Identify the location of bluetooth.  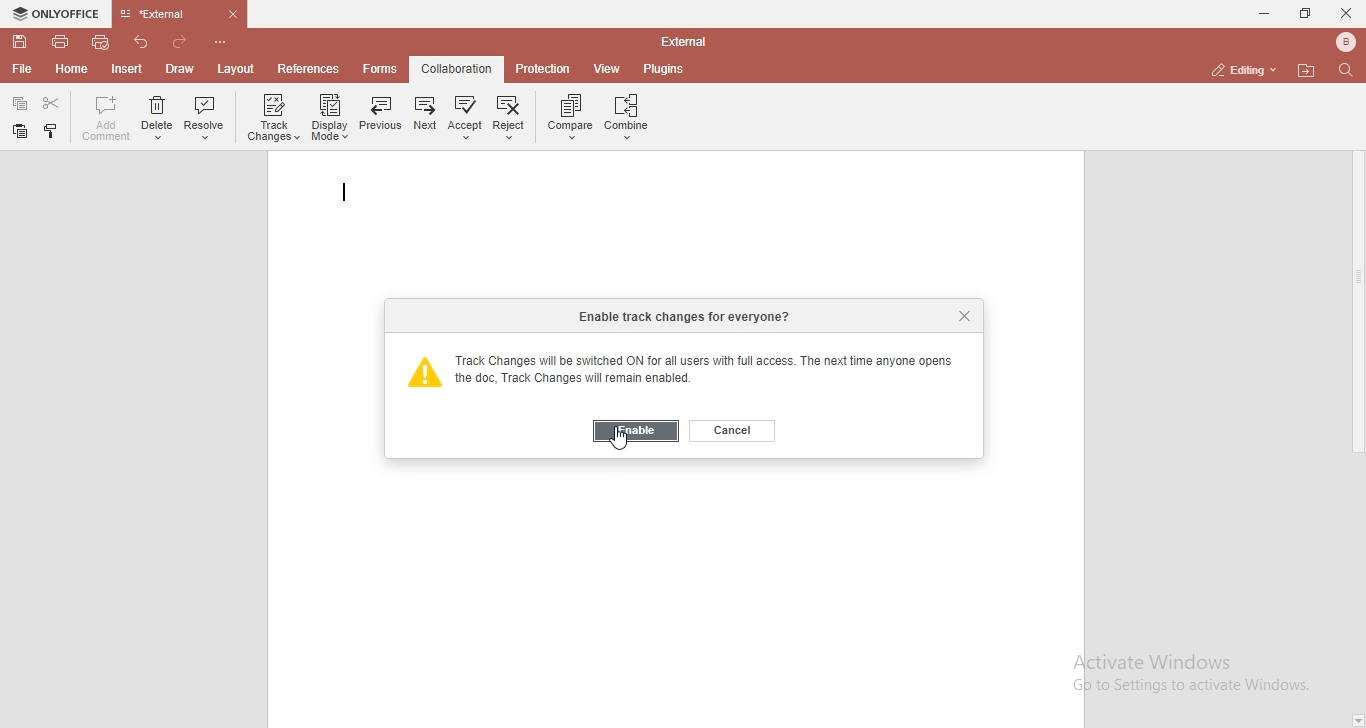
(1346, 42).